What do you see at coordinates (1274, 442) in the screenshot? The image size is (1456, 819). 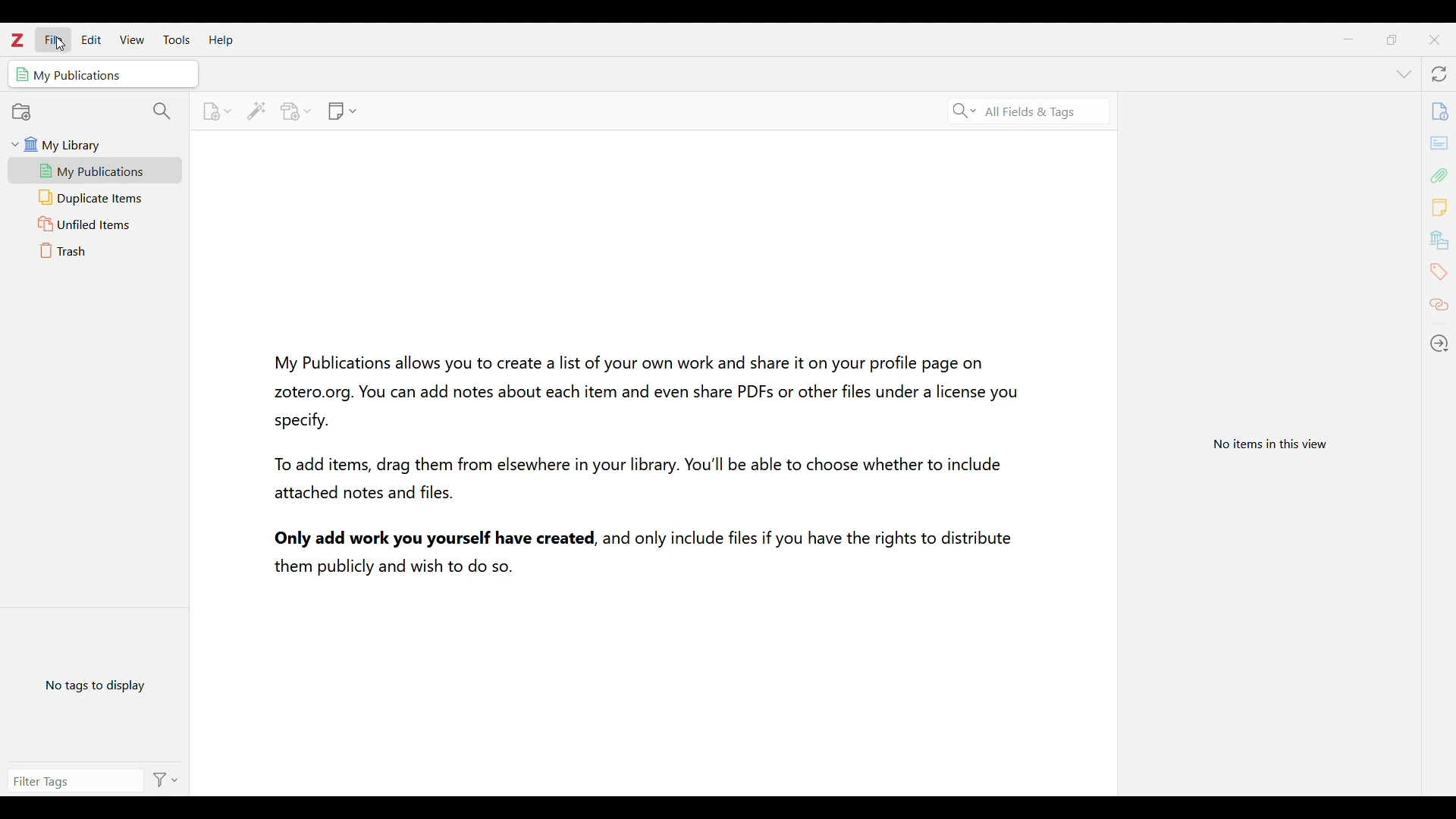 I see `View information specific to selected item` at bounding box center [1274, 442].